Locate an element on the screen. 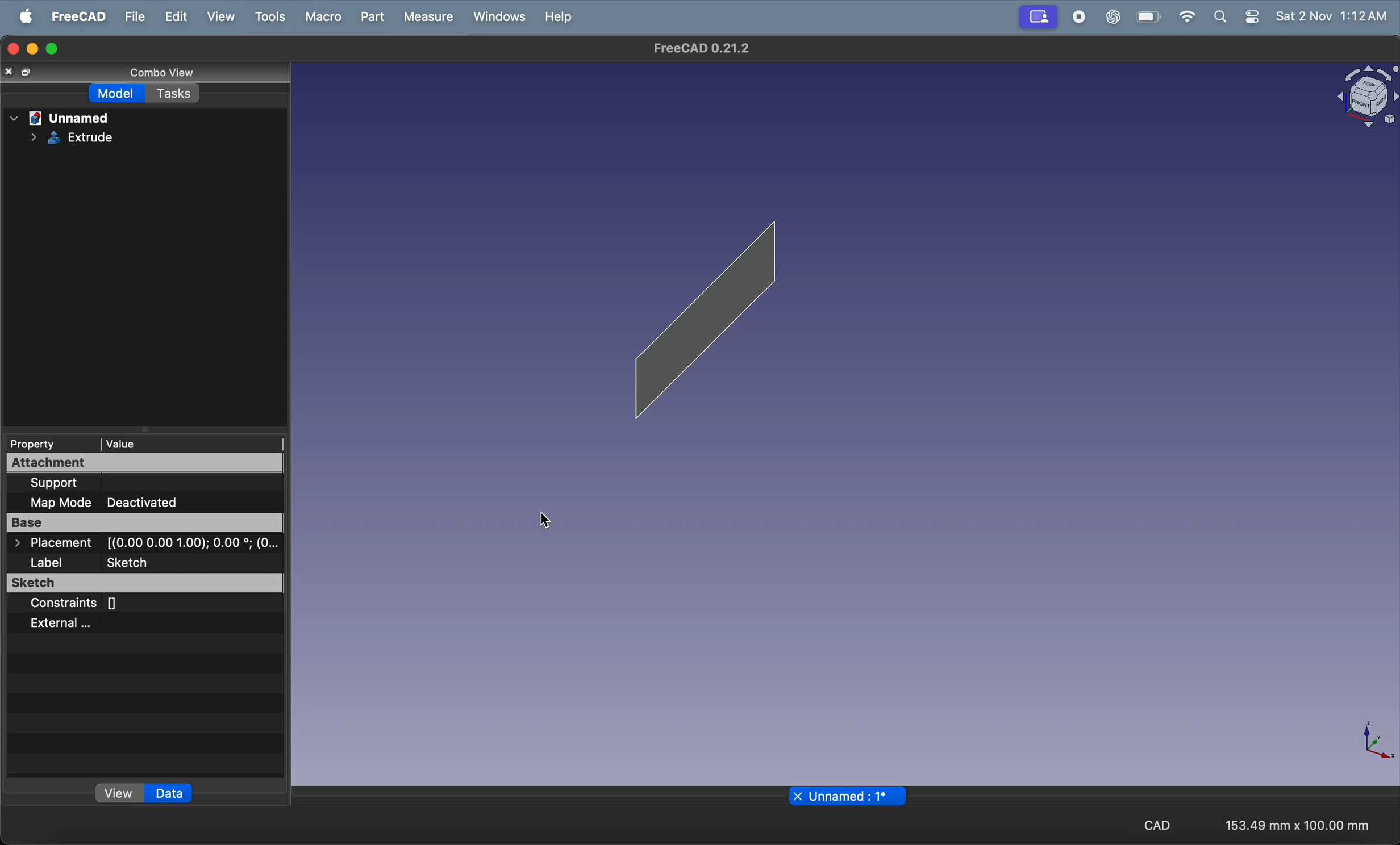 The width and height of the screenshot is (1400, 845). edit is located at coordinates (177, 17).